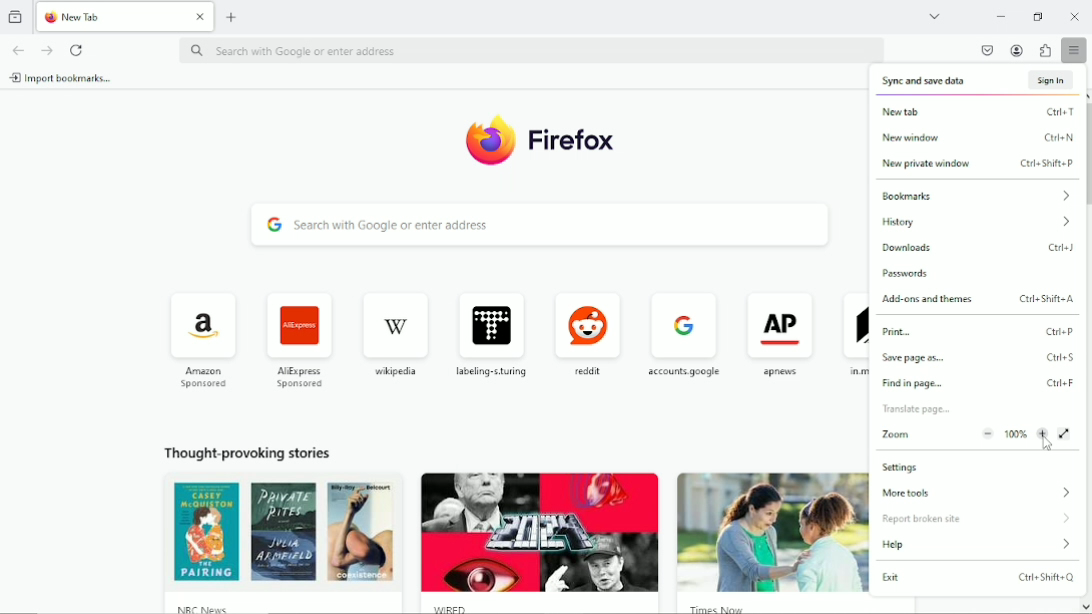 The height and width of the screenshot is (614, 1092). Describe the element at coordinates (1038, 16) in the screenshot. I see `Restore down` at that location.